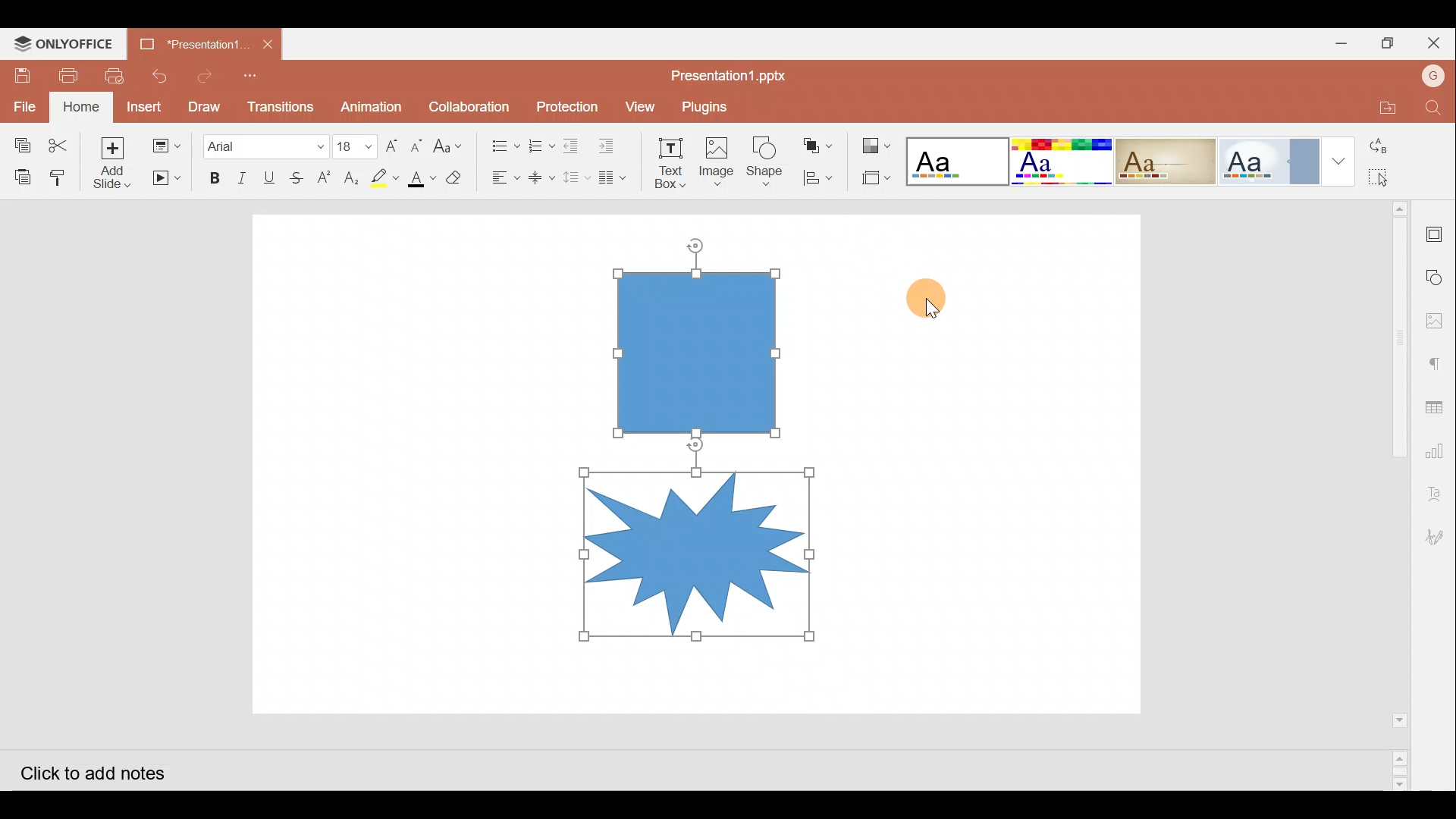 The height and width of the screenshot is (819, 1456). I want to click on Basic, so click(1060, 162).